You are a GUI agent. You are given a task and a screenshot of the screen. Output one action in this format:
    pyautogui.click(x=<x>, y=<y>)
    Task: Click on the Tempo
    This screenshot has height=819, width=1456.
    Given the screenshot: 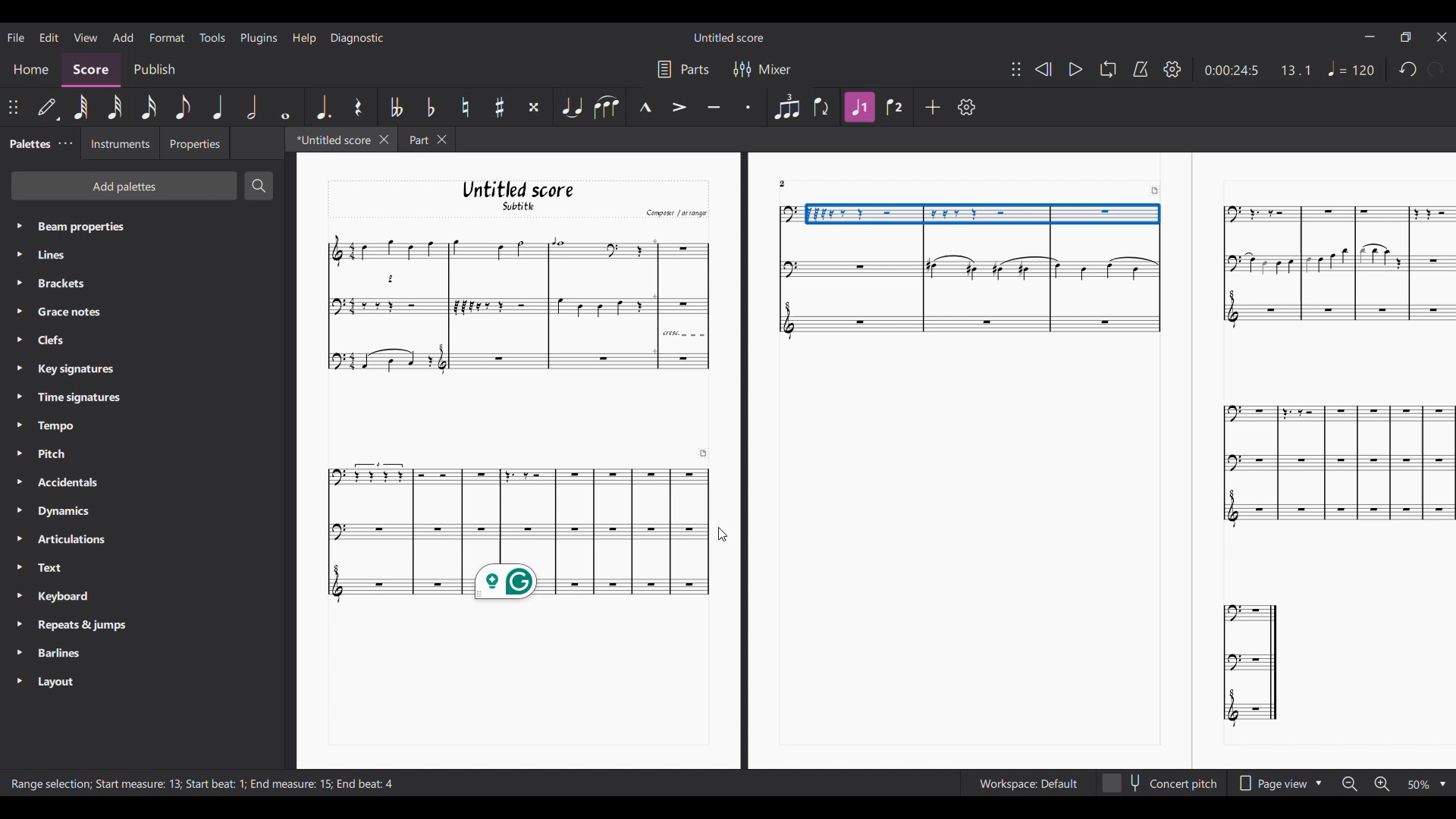 What is the action you would take?
    pyautogui.click(x=1352, y=68)
    